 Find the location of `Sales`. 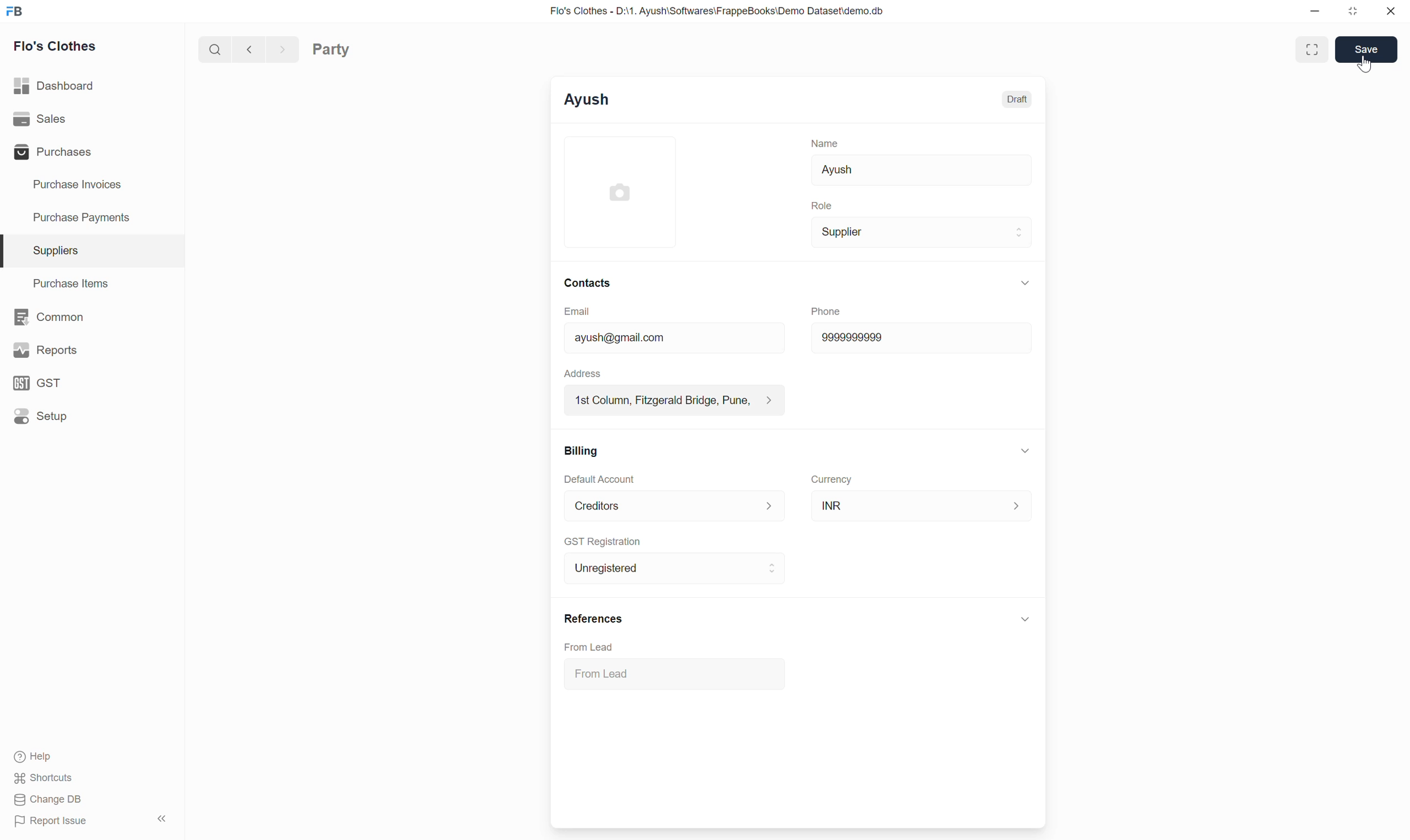

Sales is located at coordinates (92, 119).